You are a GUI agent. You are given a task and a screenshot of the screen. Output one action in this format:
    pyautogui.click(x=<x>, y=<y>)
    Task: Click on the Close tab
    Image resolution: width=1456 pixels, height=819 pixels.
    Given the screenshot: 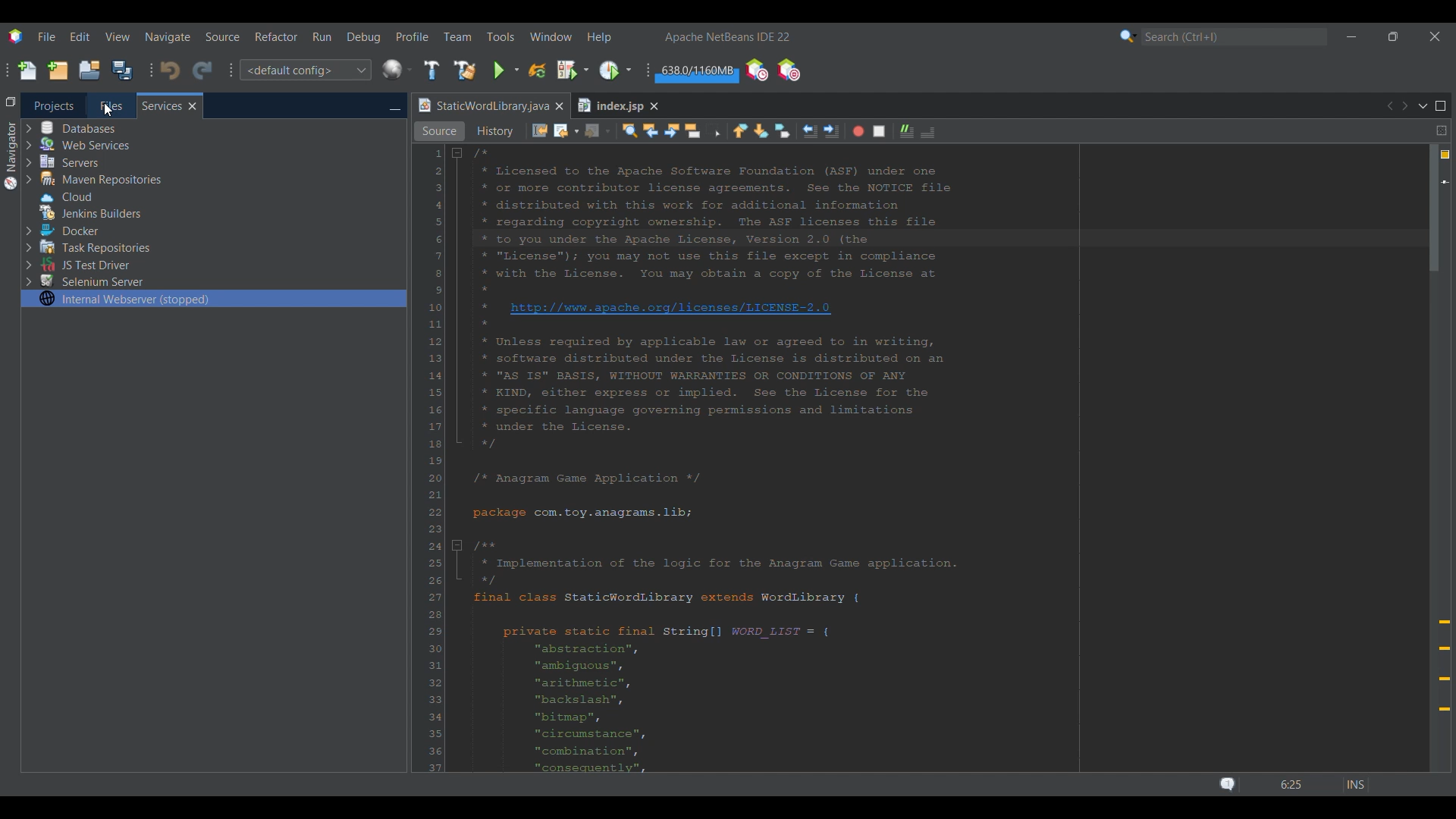 What is the action you would take?
    pyautogui.click(x=559, y=106)
    